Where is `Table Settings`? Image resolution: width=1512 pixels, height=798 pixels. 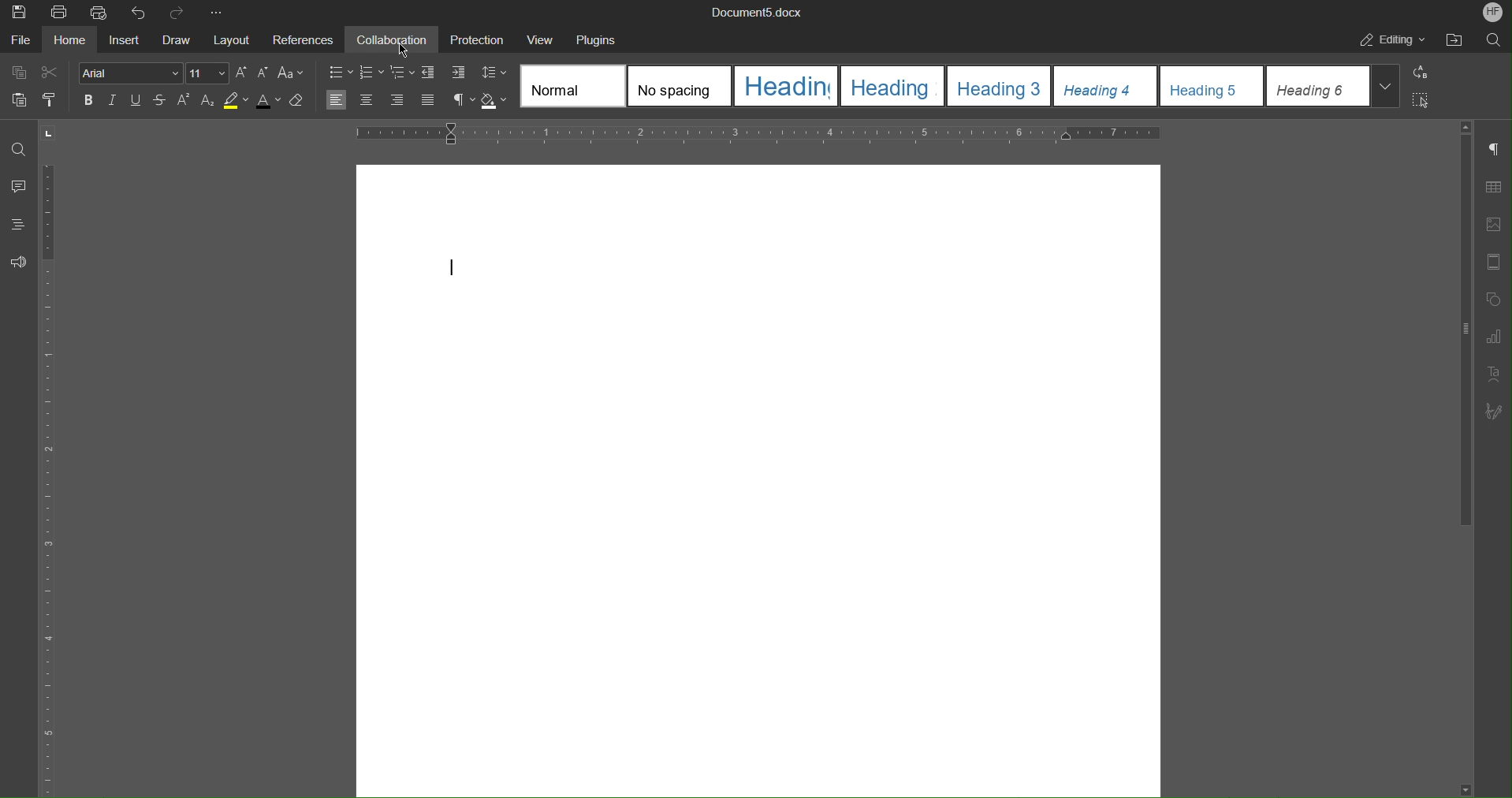 Table Settings is located at coordinates (1492, 188).